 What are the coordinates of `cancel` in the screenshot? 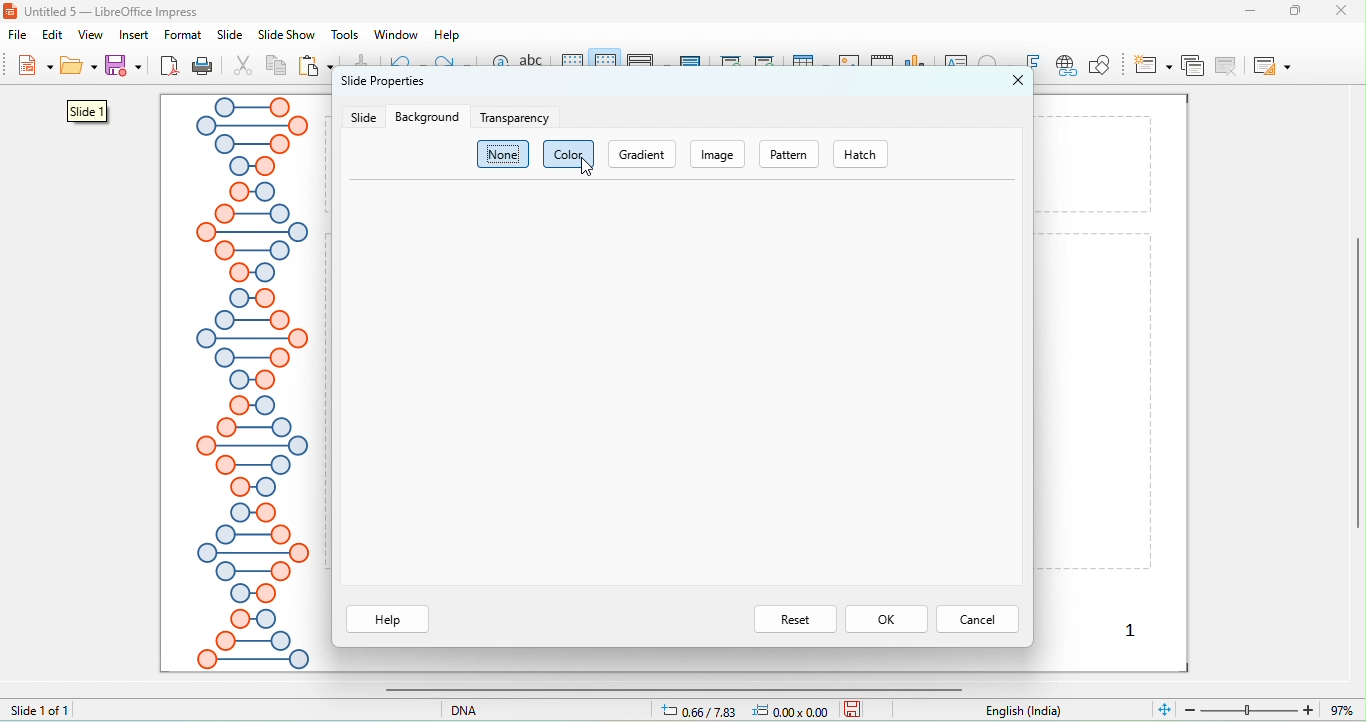 It's located at (978, 618).